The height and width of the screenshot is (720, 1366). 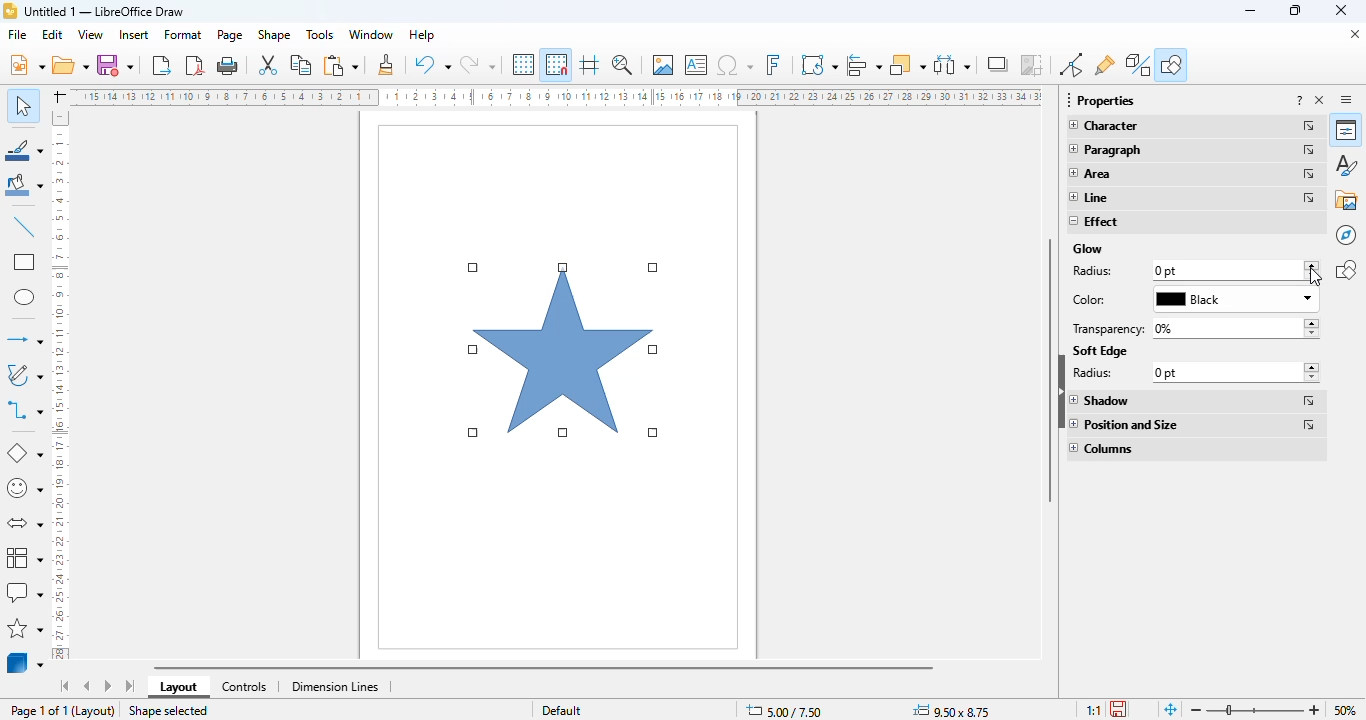 What do you see at coordinates (134, 34) in the screenshot?
I see `insert` at bounding box center [134, 34].